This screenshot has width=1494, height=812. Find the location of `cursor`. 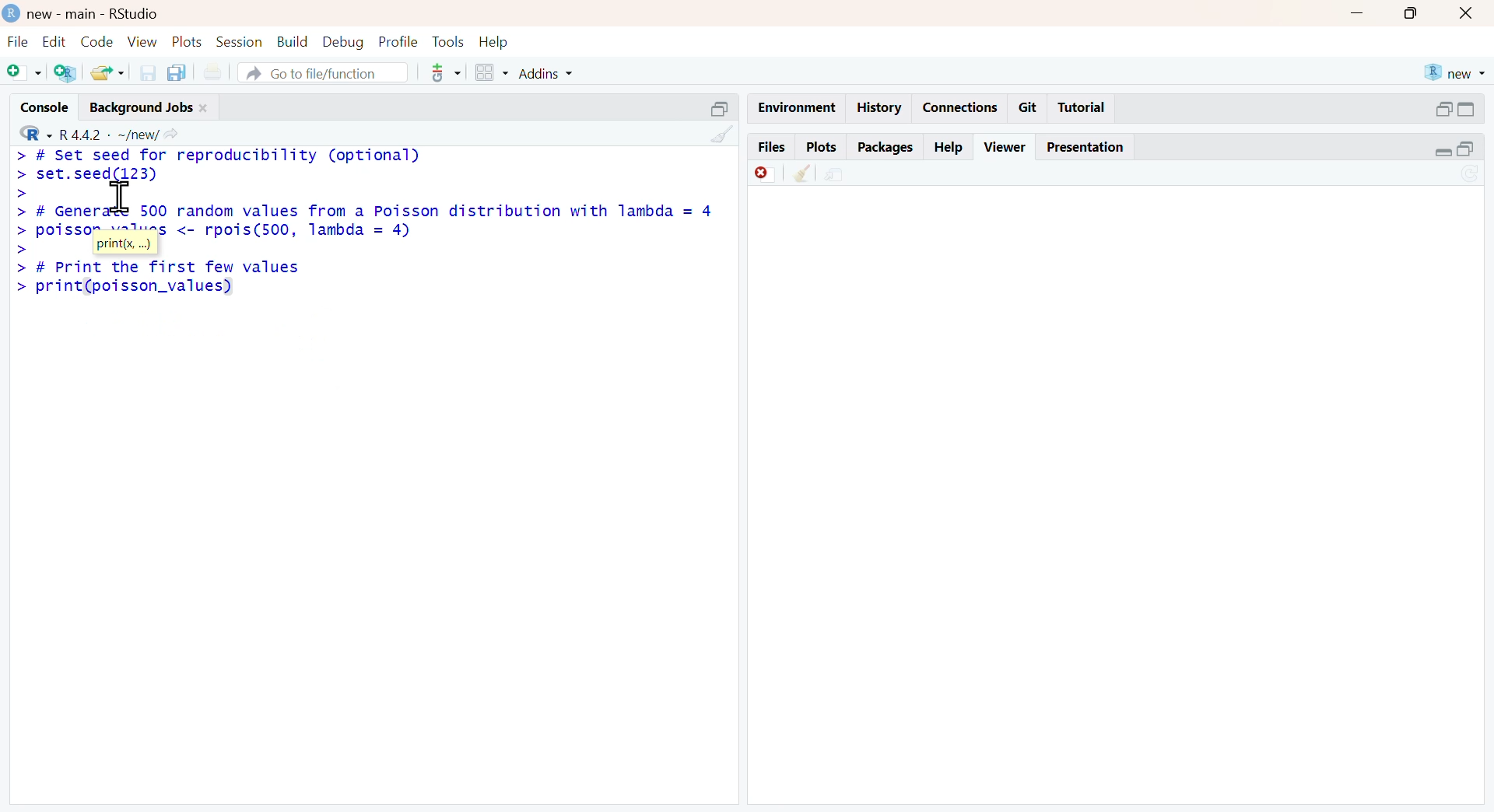

cursor is located at coordinates (121, 197).